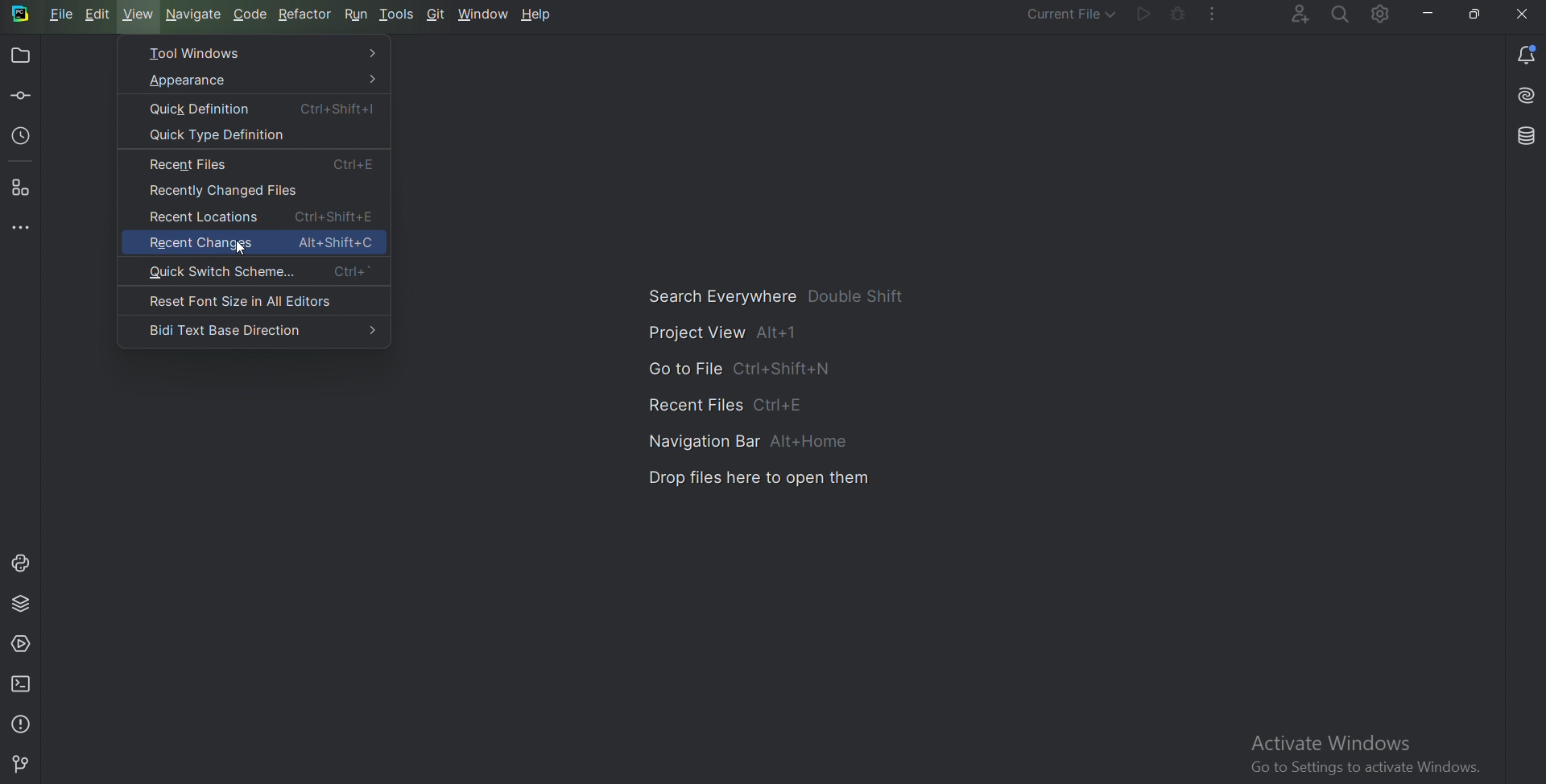  I want to click on Appearance, so click(253, 80).